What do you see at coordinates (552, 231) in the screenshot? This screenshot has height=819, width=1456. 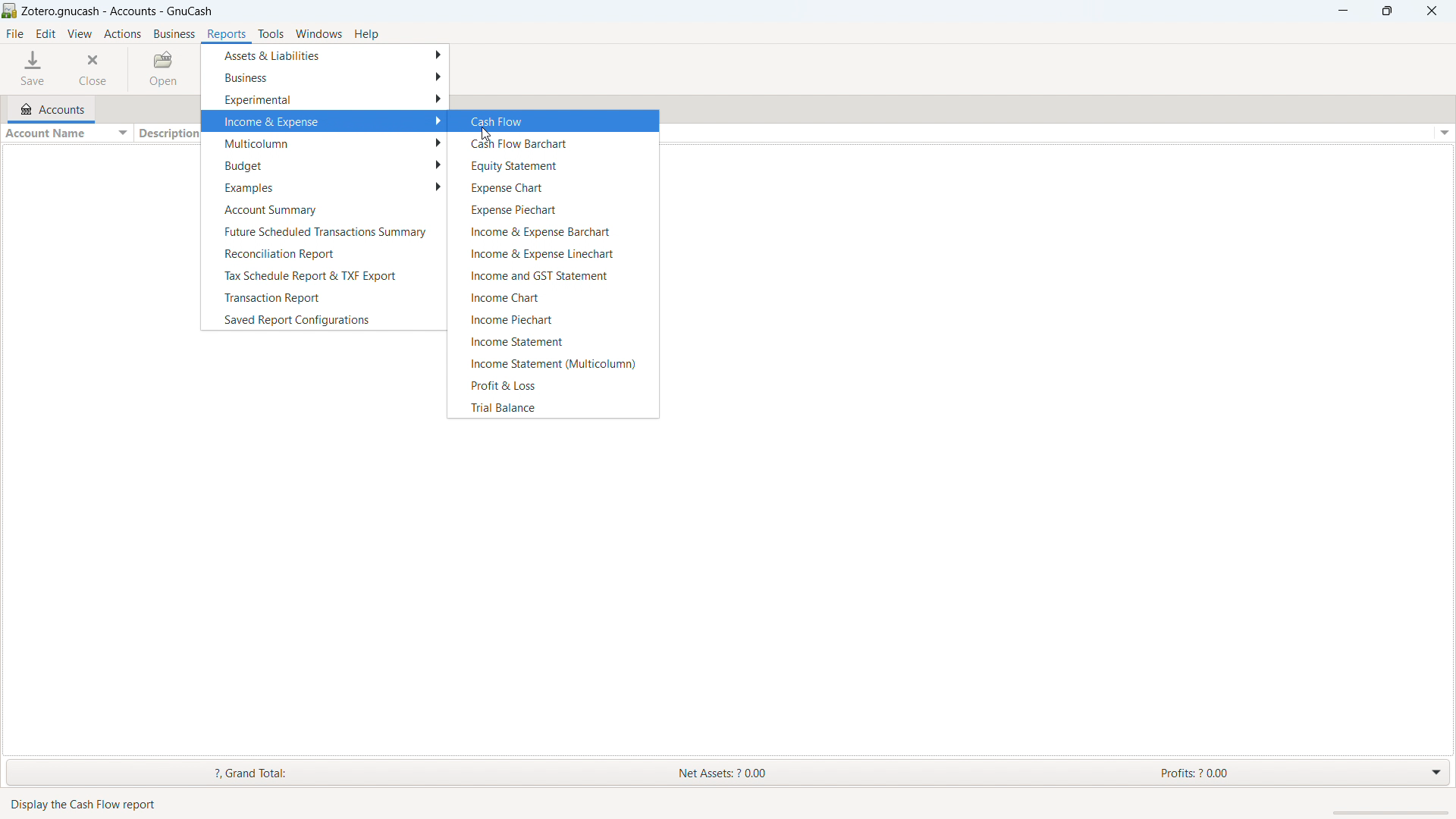 I see `income and exoense barchart` at bounding box center [552, 231].